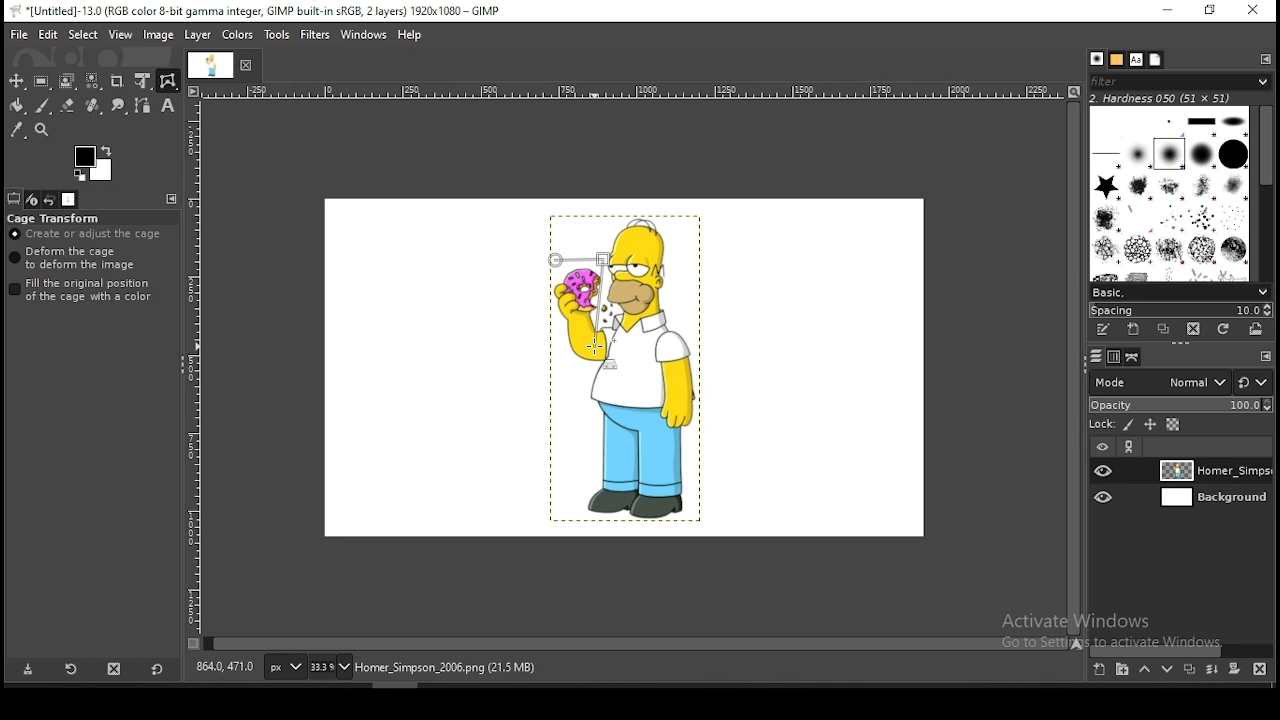 The image size is (1280, 720). I want to click on layer visibility on/off, so click(1105, 471).